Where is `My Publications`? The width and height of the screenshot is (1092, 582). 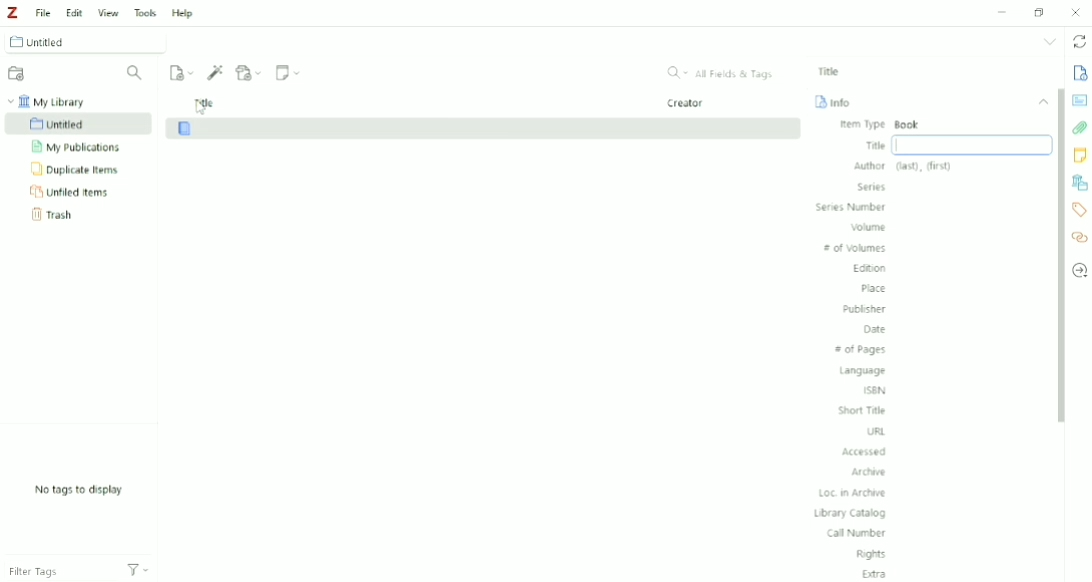
My Publications is located at coordinates (76, 147).